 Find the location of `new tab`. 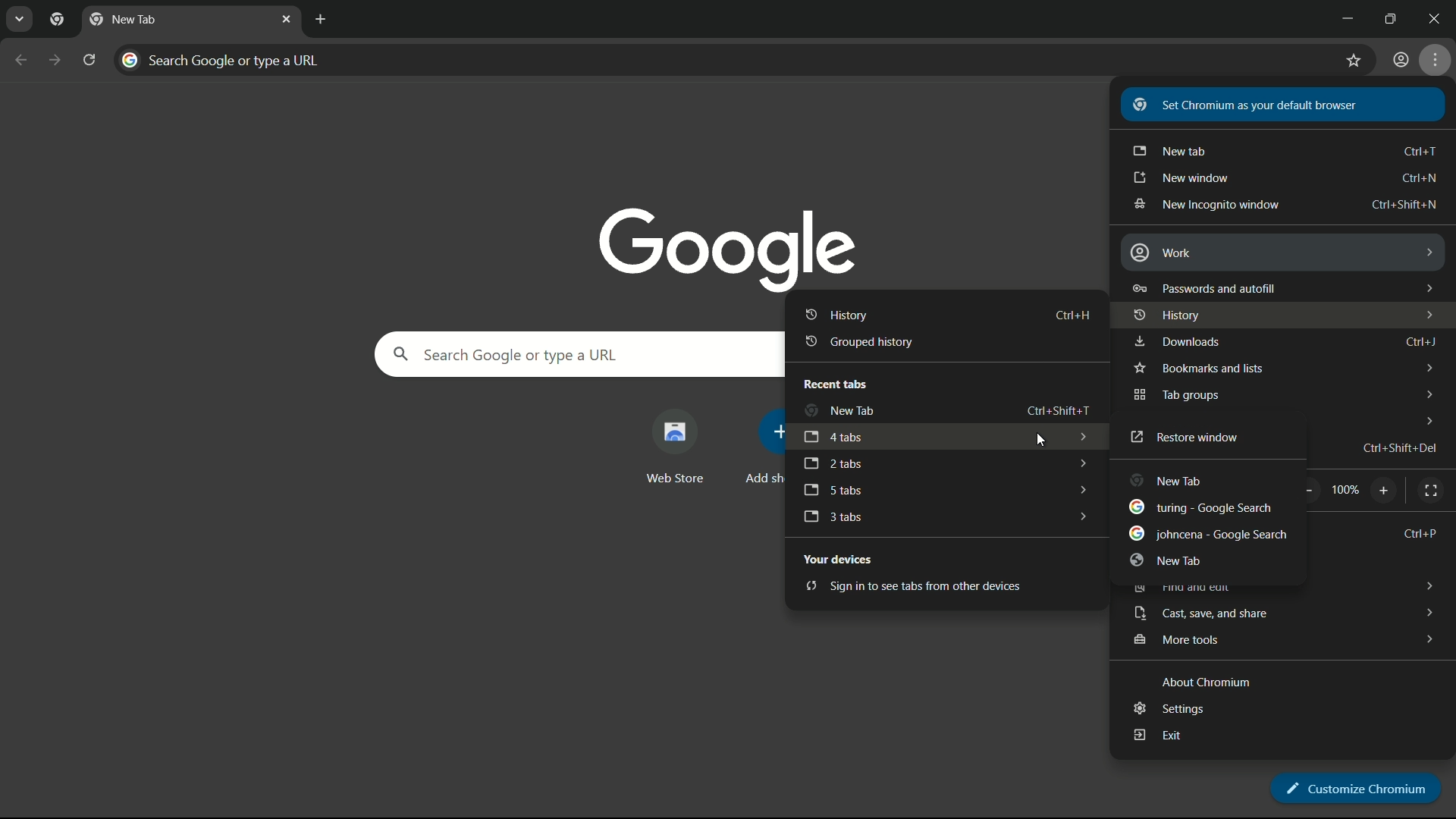

new tab is located at coordinates (1169, 482).